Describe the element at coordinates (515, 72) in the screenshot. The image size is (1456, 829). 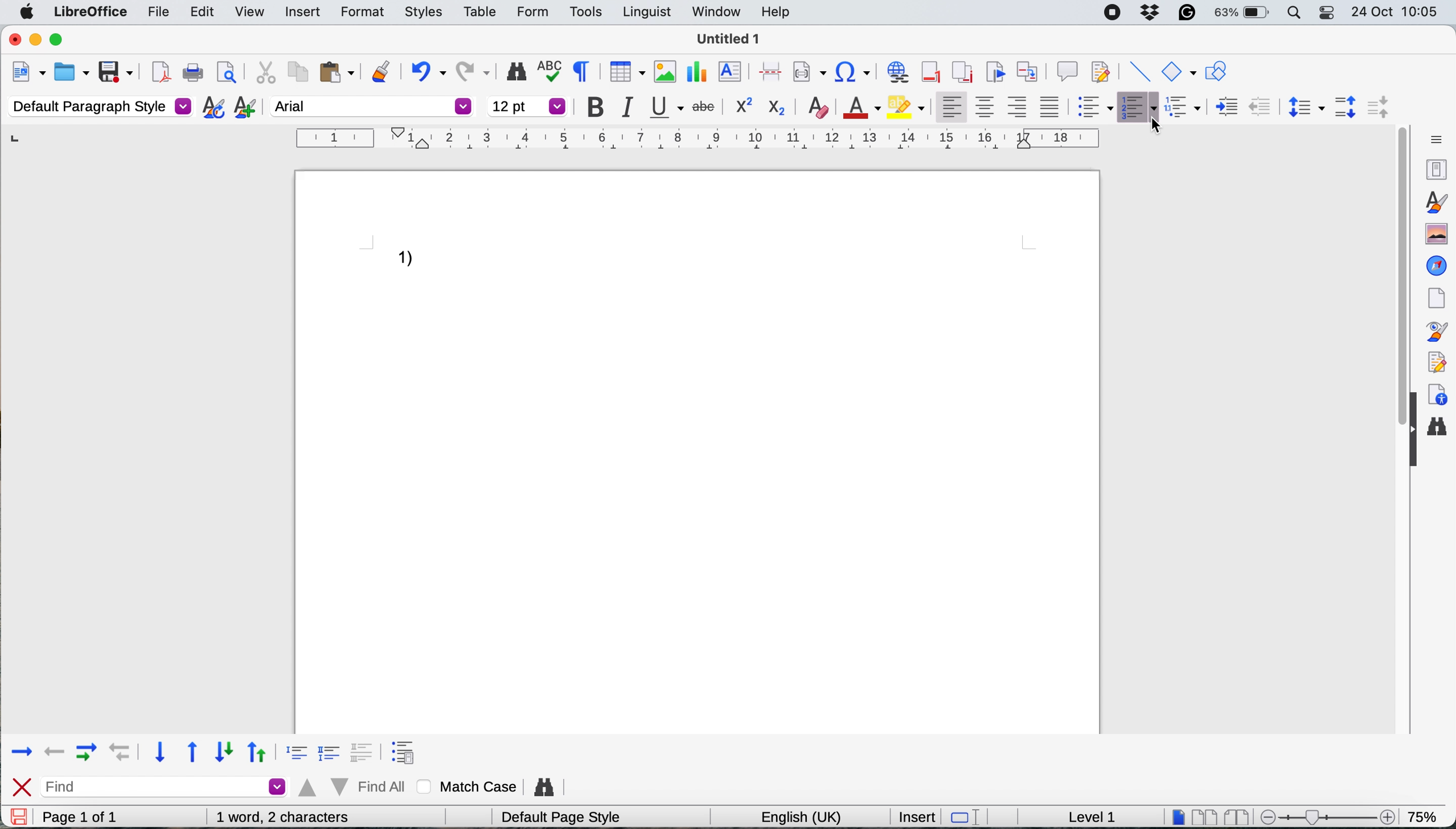
I see `find and replace` at that location.